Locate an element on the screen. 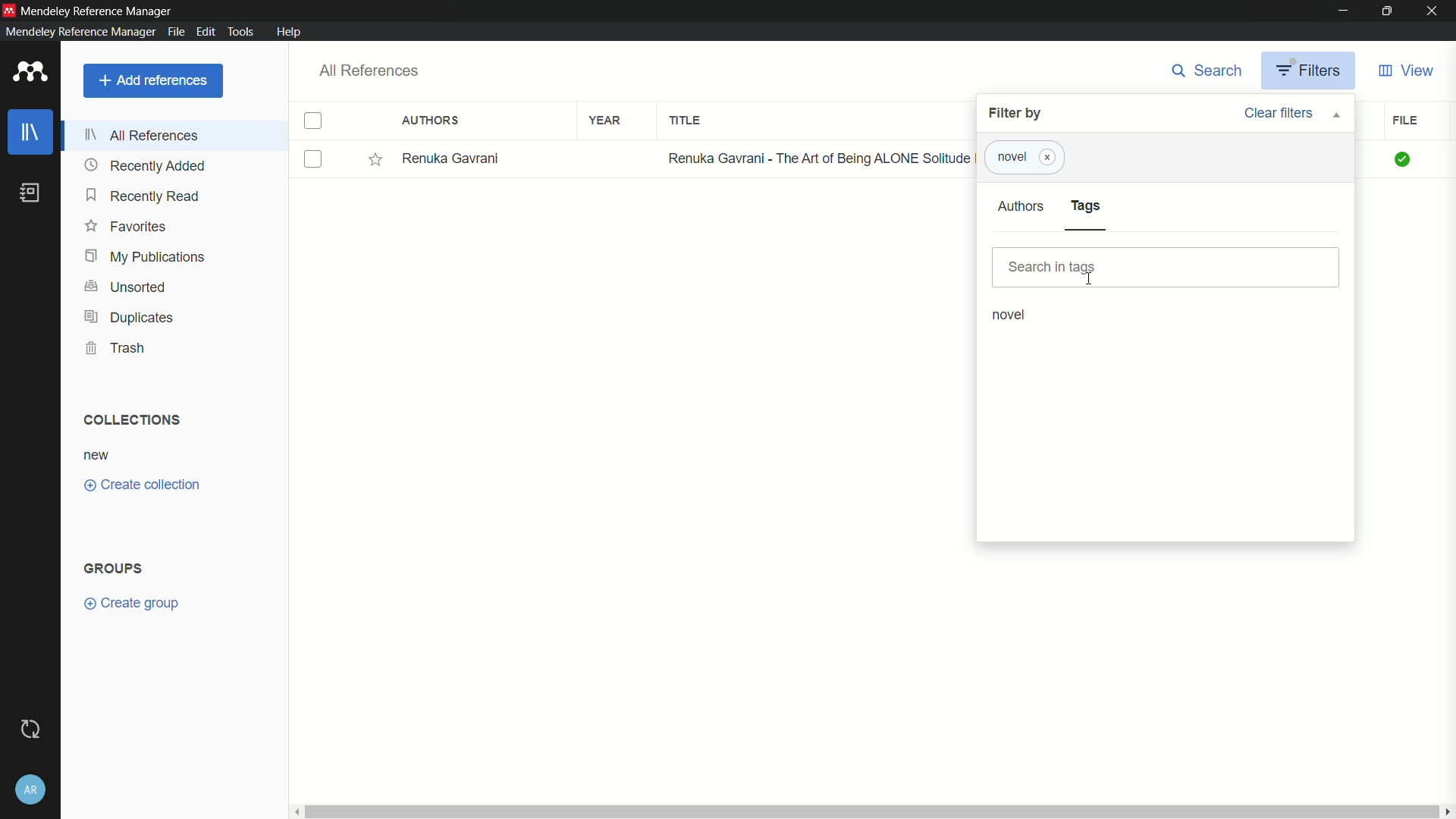 This screenshot has height=819, width=1456. authors is located at coordinates (1021, 206).